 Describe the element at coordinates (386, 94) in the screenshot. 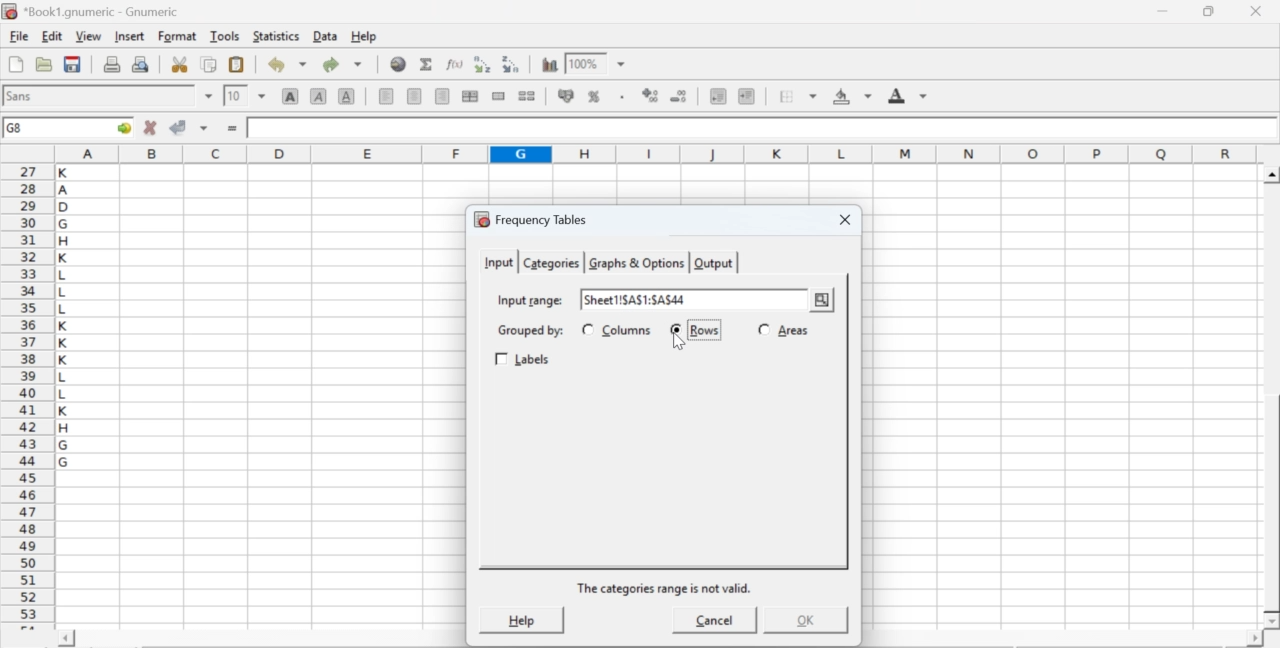

I see `align left` at that location.